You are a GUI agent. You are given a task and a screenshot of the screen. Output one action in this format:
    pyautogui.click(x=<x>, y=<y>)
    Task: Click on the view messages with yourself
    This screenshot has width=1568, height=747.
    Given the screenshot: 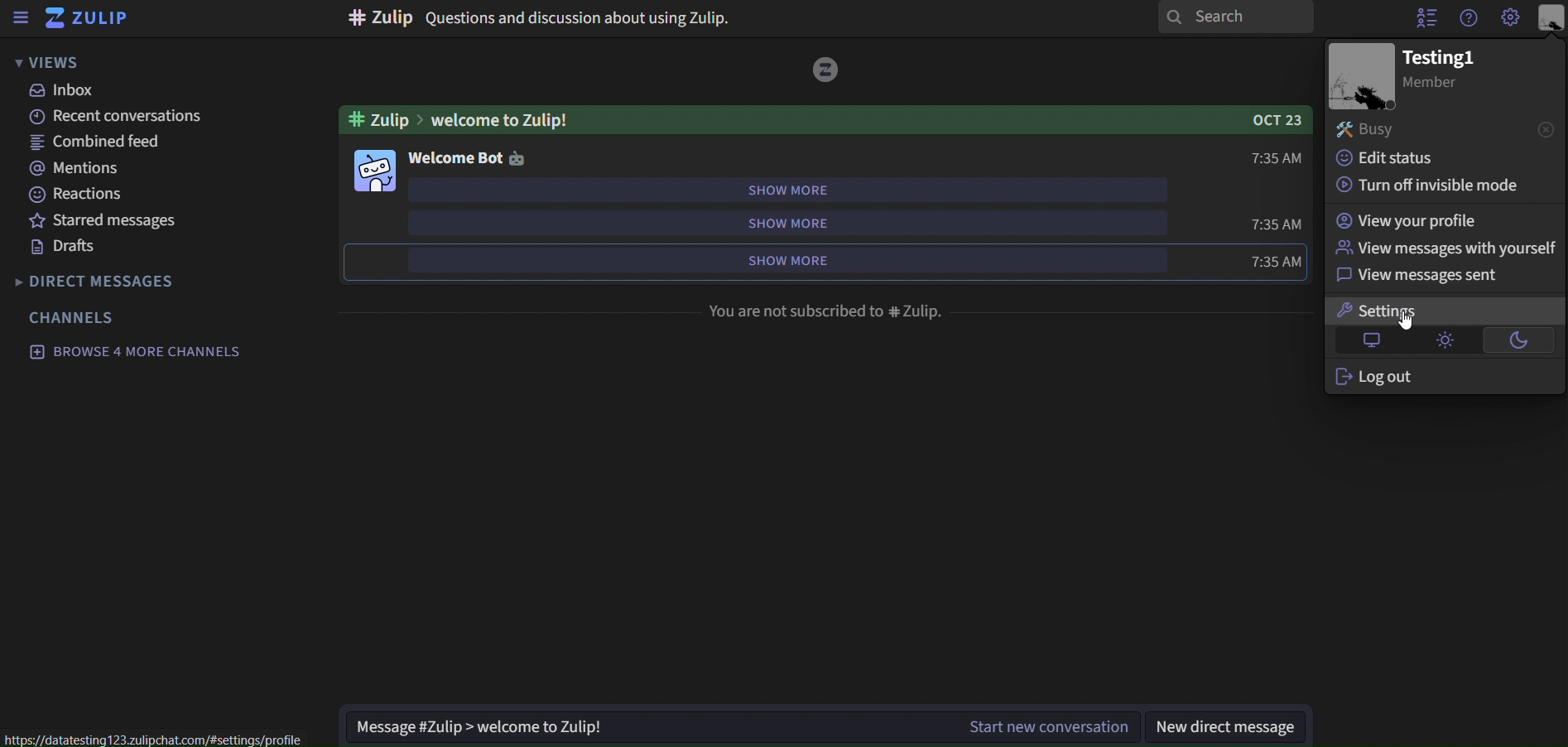 What is the action you would take?
    pyautogui.click(x=1447, y=246)
    